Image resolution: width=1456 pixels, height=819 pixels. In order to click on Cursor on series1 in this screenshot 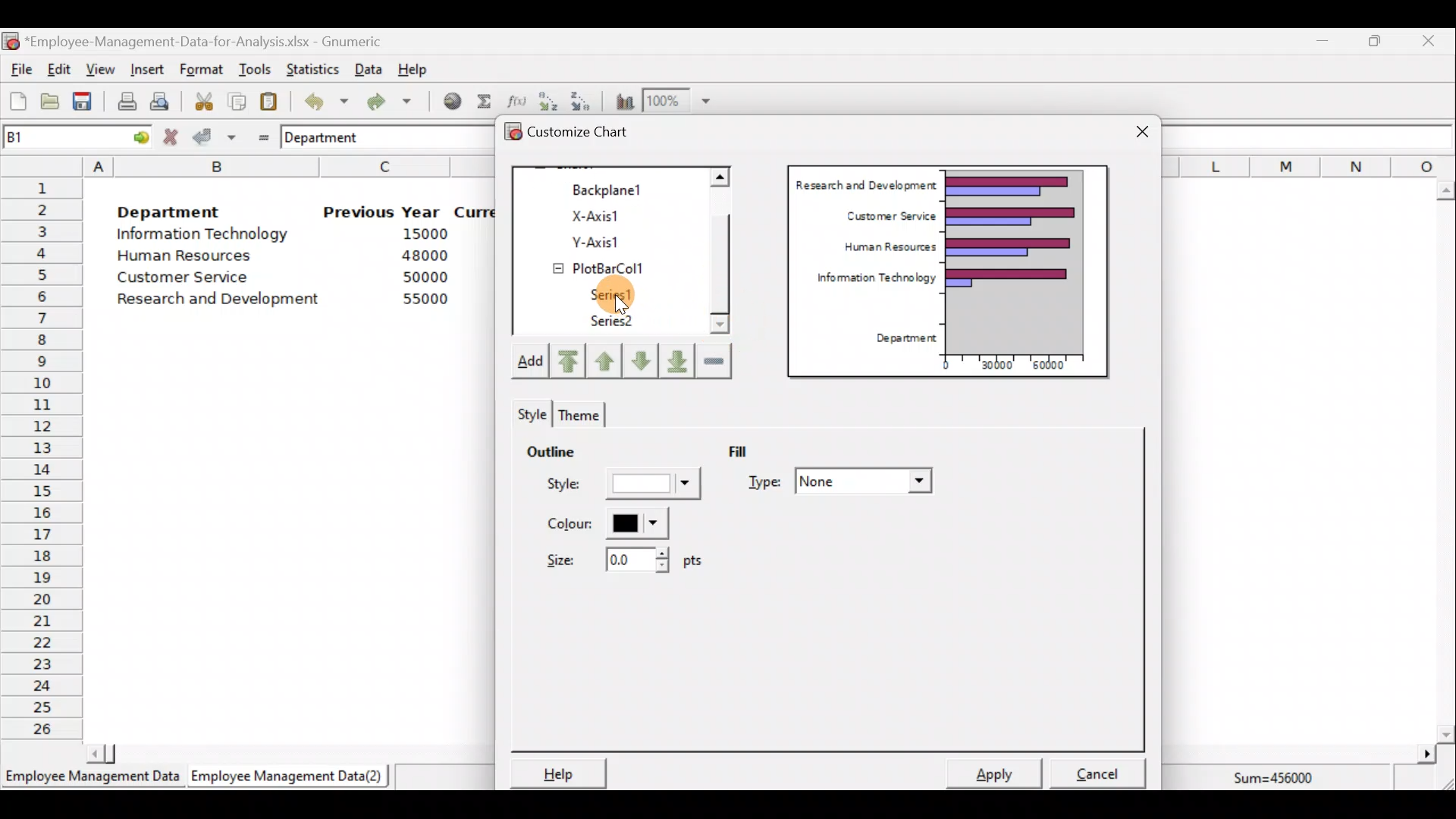, I will do `click(620, 295)`.